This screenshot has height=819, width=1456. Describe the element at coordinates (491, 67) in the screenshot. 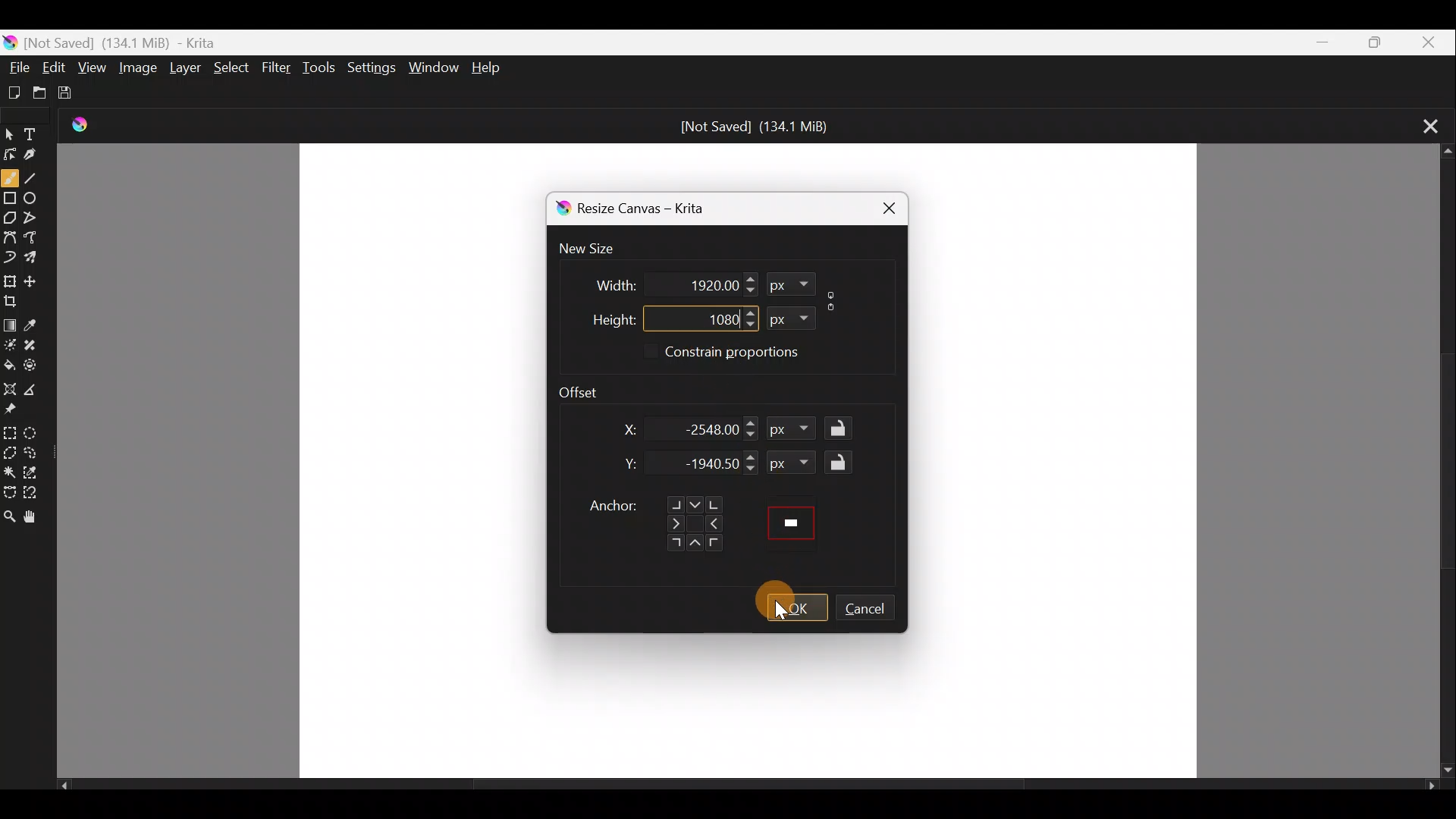

I see `Help` at that location.